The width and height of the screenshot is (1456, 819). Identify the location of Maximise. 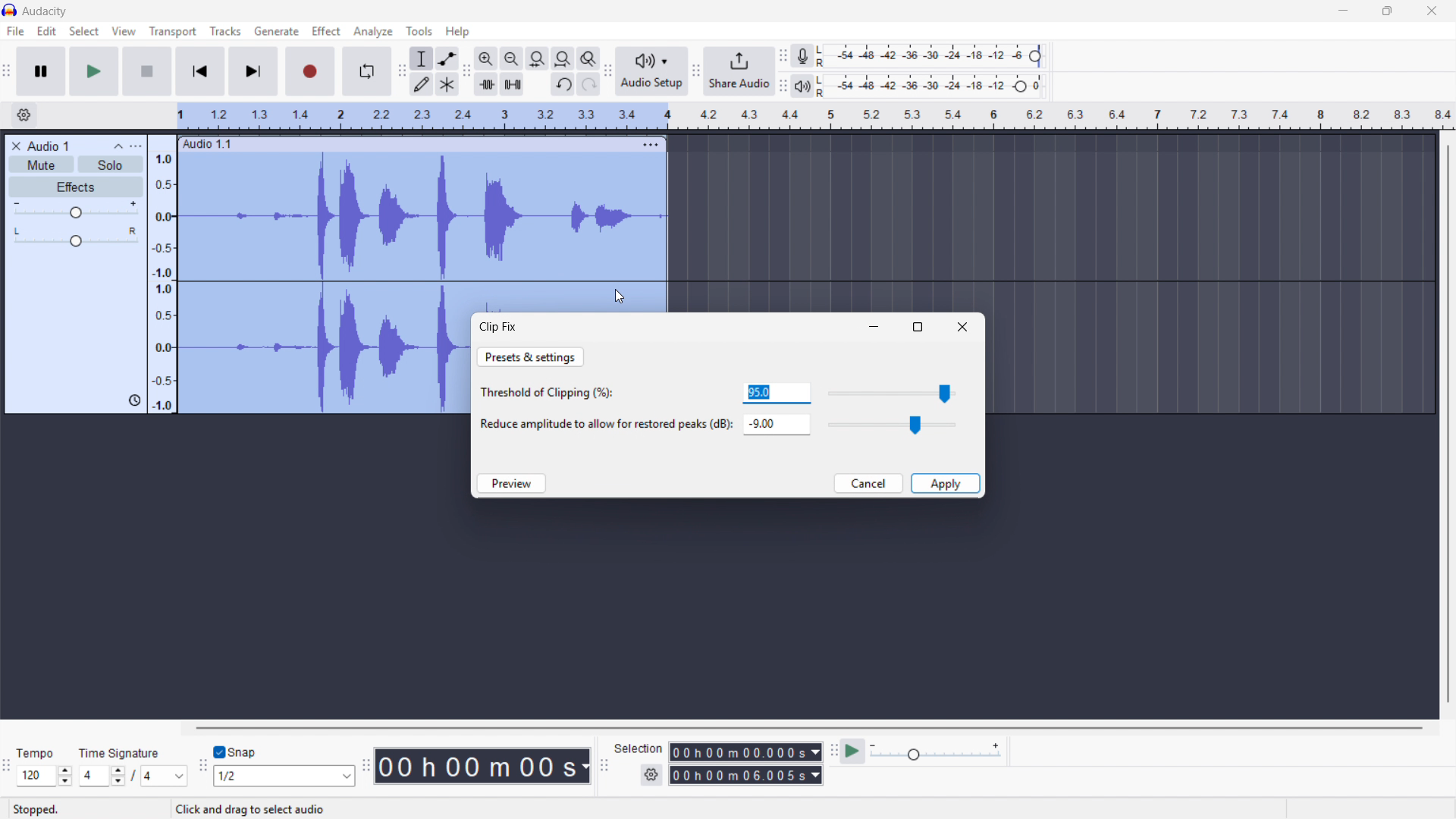
(1389, 11).